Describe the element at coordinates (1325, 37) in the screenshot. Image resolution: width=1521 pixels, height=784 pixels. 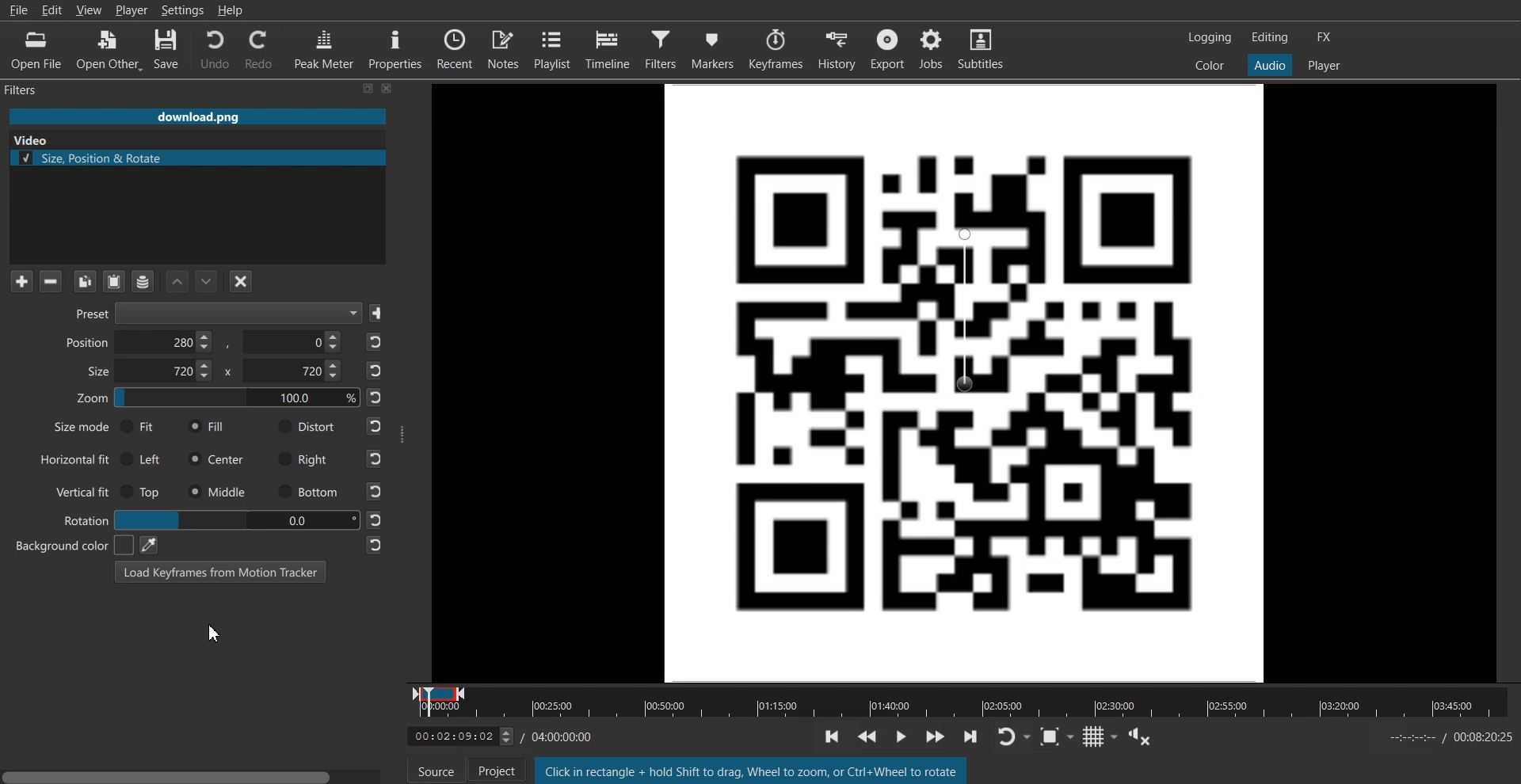
I see `Switch to the effect layout` at that location.